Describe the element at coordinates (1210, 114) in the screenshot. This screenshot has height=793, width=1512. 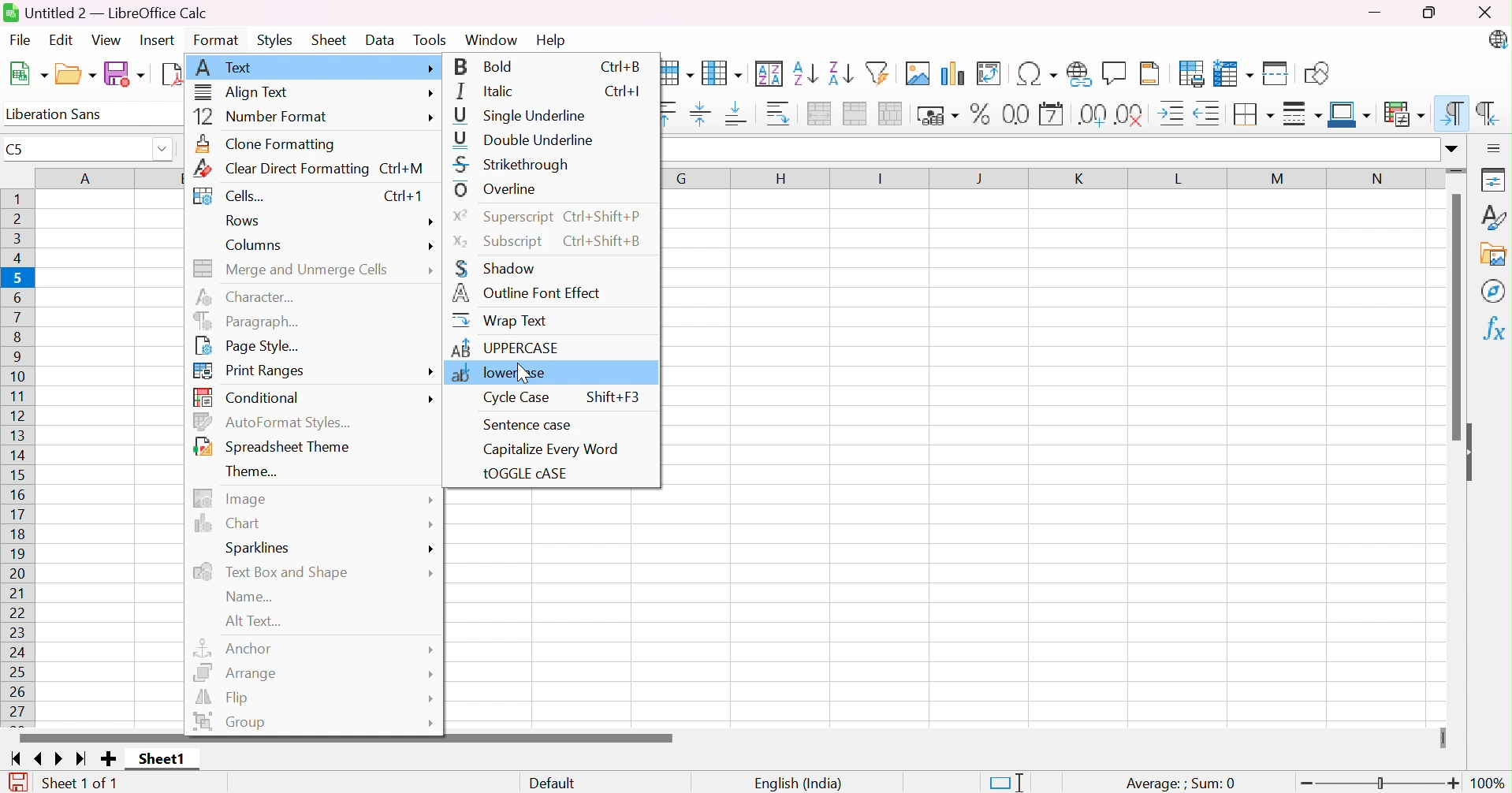
I see `Decrease Indent` at that location.